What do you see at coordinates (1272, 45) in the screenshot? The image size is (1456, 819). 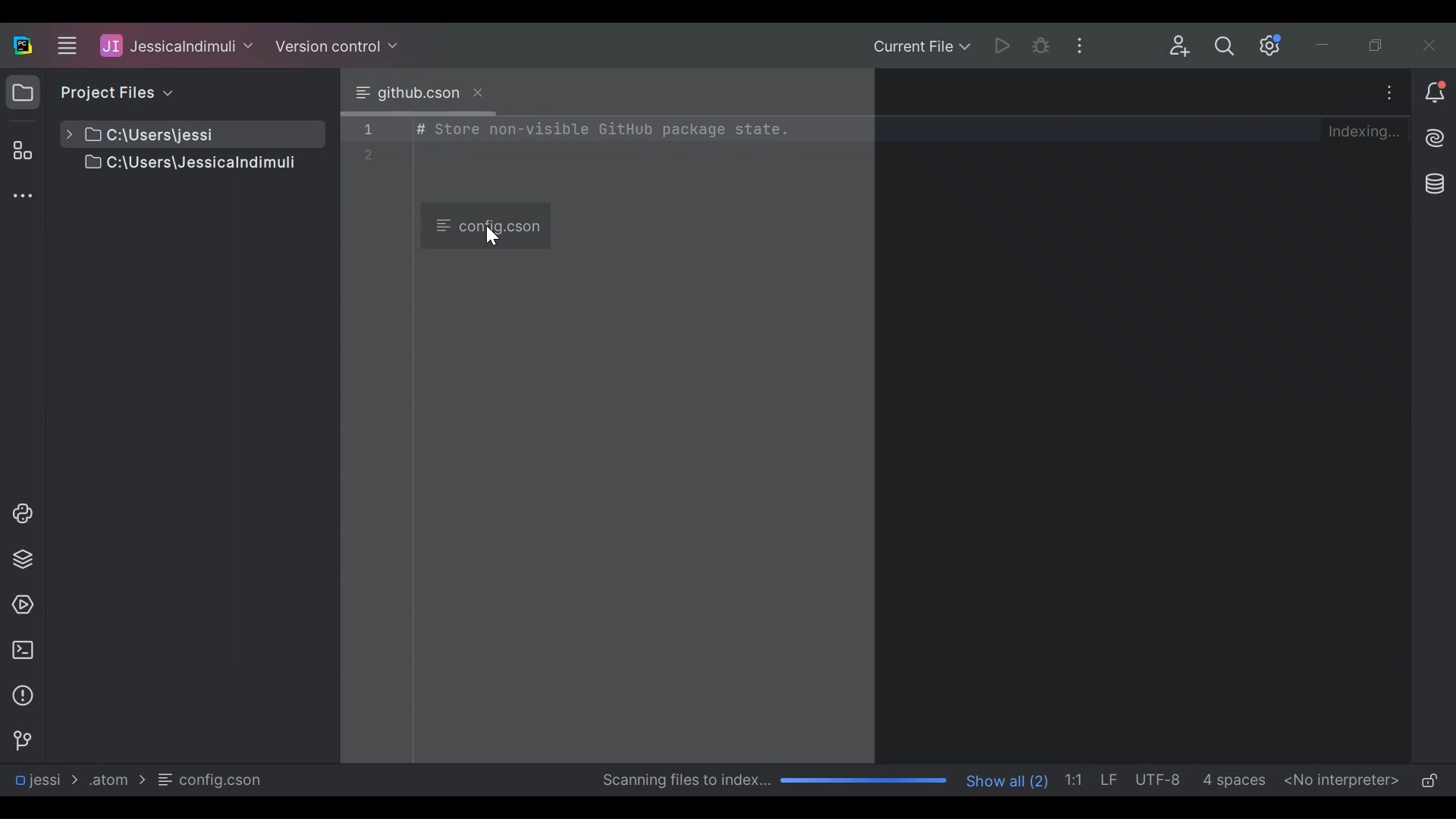 I see `Settings` at bounding box center [1272, 45].